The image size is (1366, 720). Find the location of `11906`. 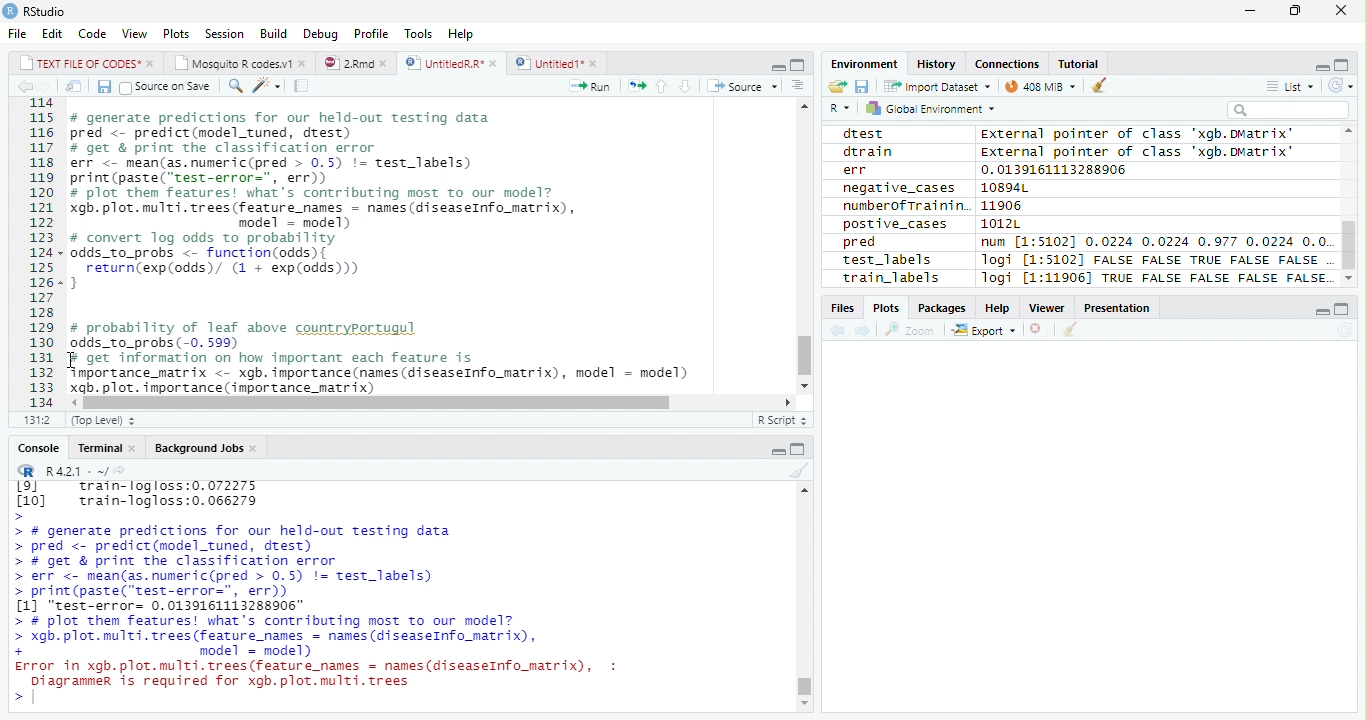

11906 is located at coordinates (1003, 205).